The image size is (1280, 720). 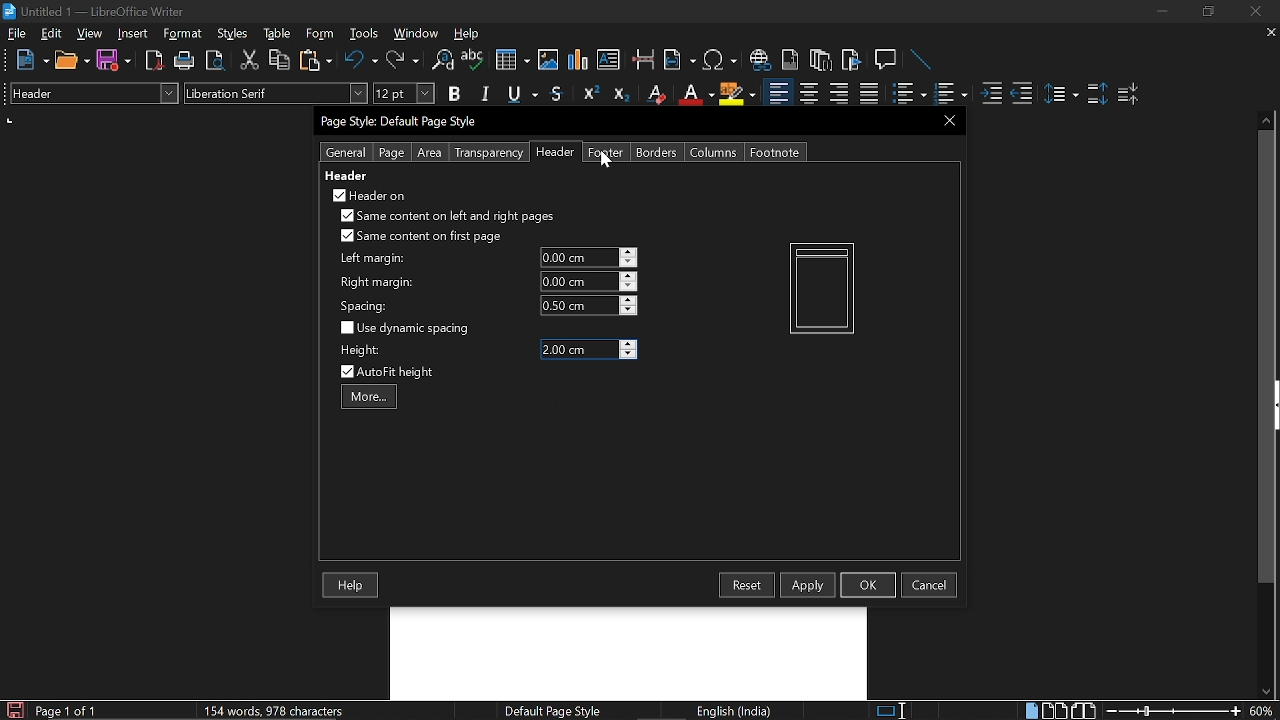 I want to click on Insert bibliography, so click(x=852, y=61).